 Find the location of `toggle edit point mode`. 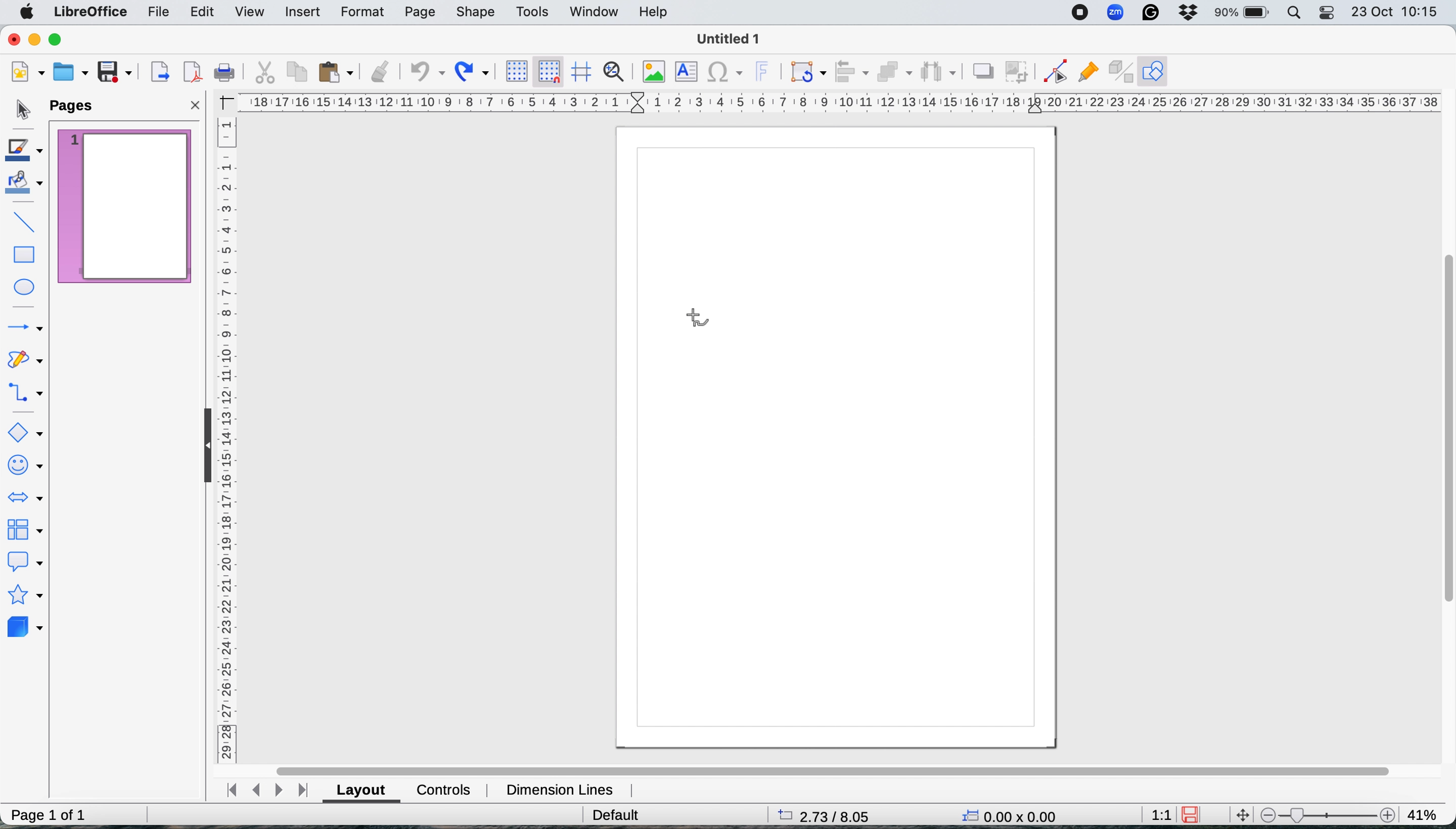

toggle edit point mode is located at coordinates (1053, 71).